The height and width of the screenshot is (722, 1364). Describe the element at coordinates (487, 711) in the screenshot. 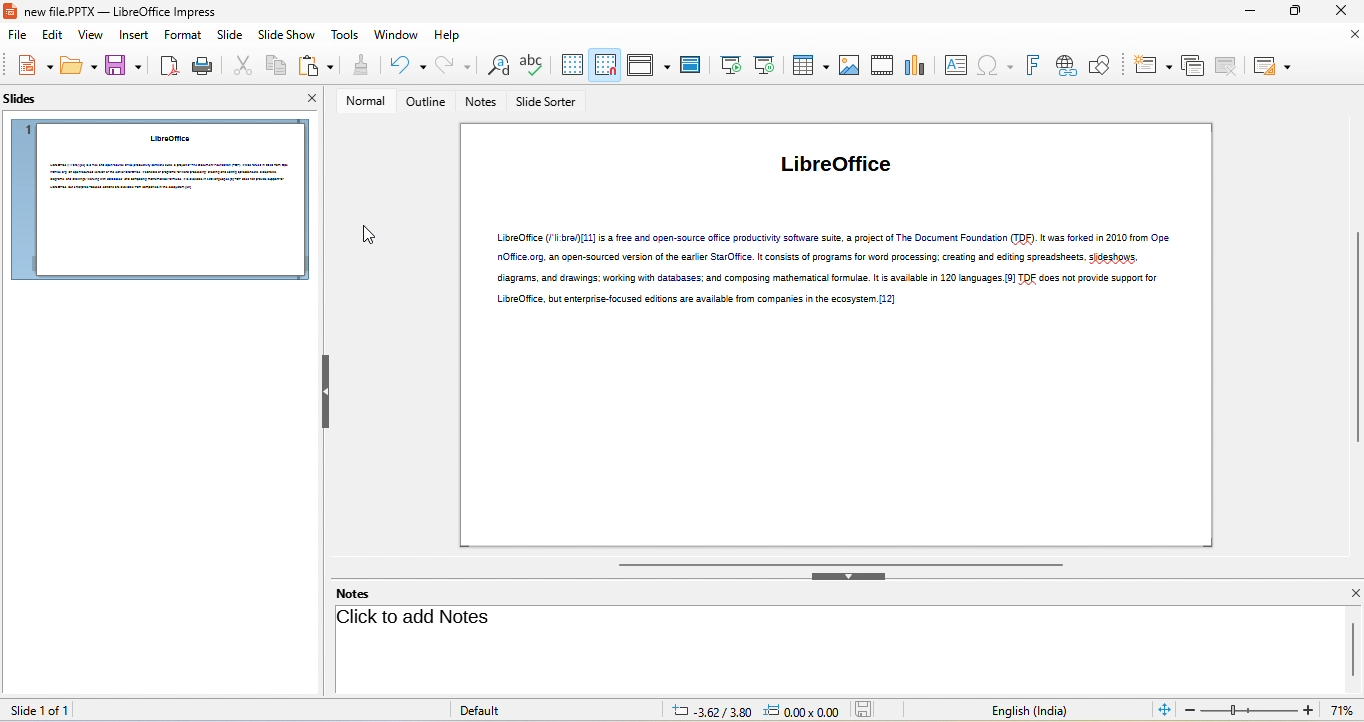

I see `default` at that location.